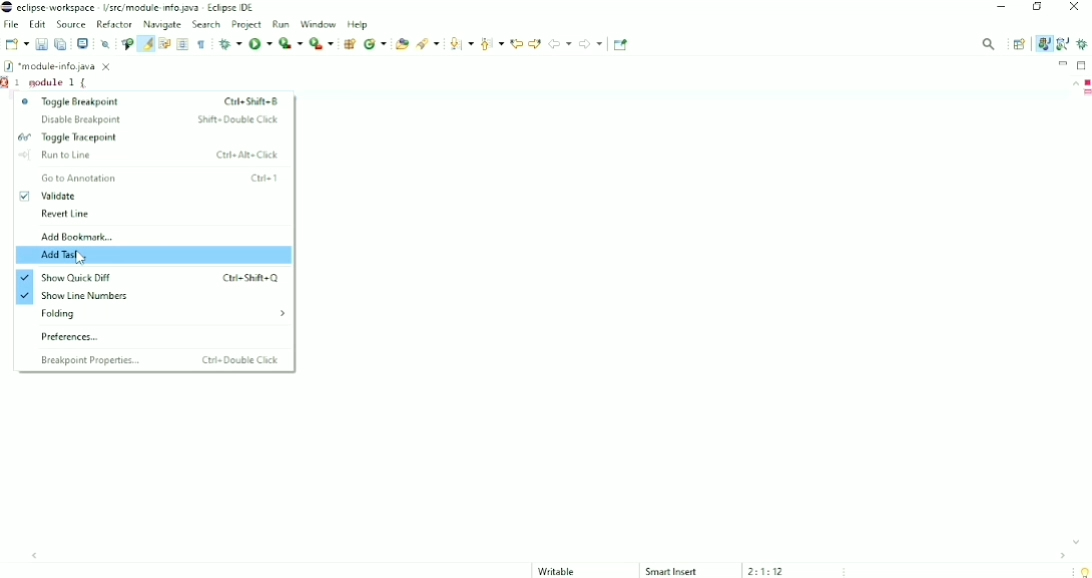  Describe the element at coordinates (164, 44) in the screenshot. I see `Toggle word wrap` at that location.